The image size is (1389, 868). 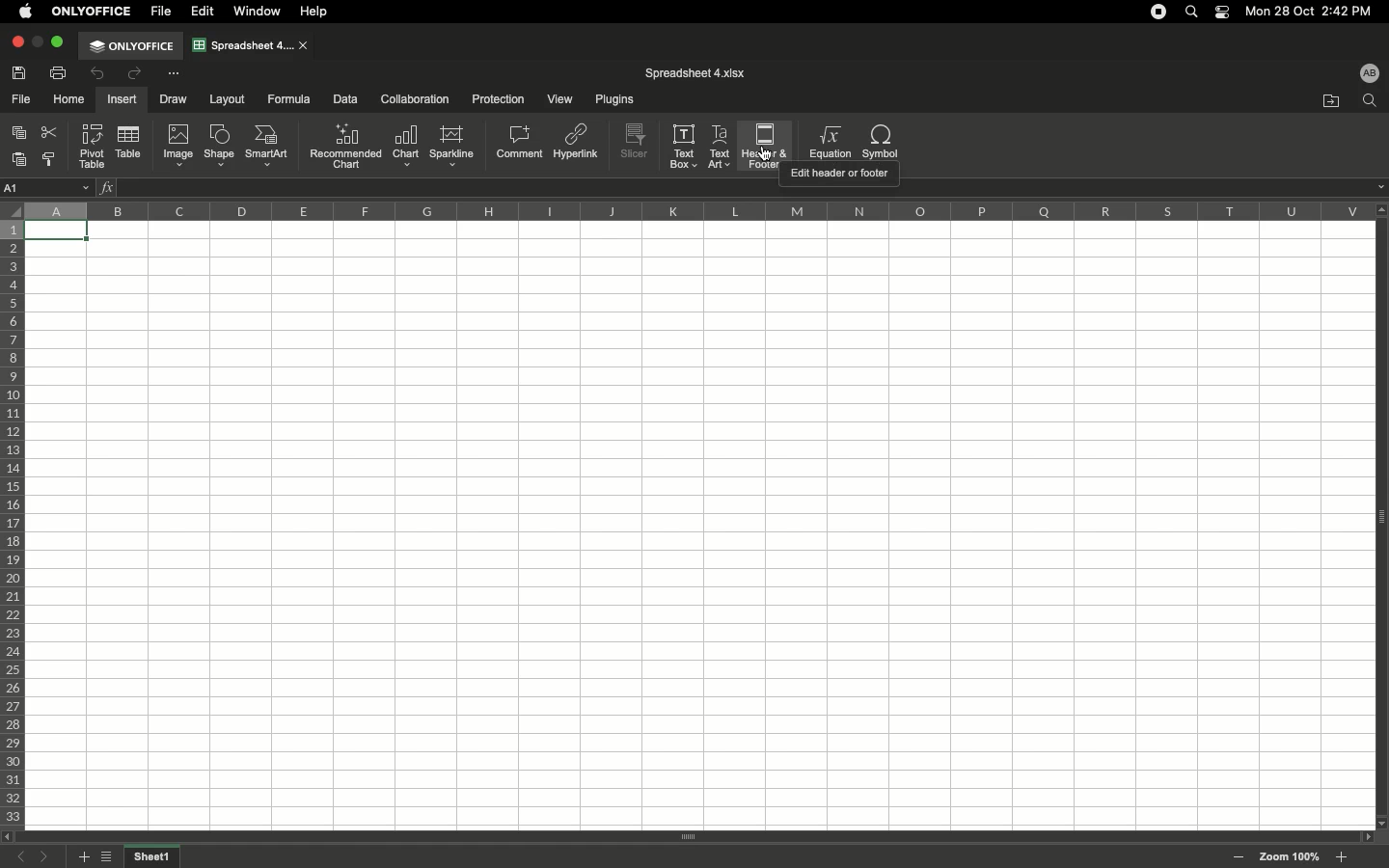 I want to click on Panel, so click(x=1380, y=517).